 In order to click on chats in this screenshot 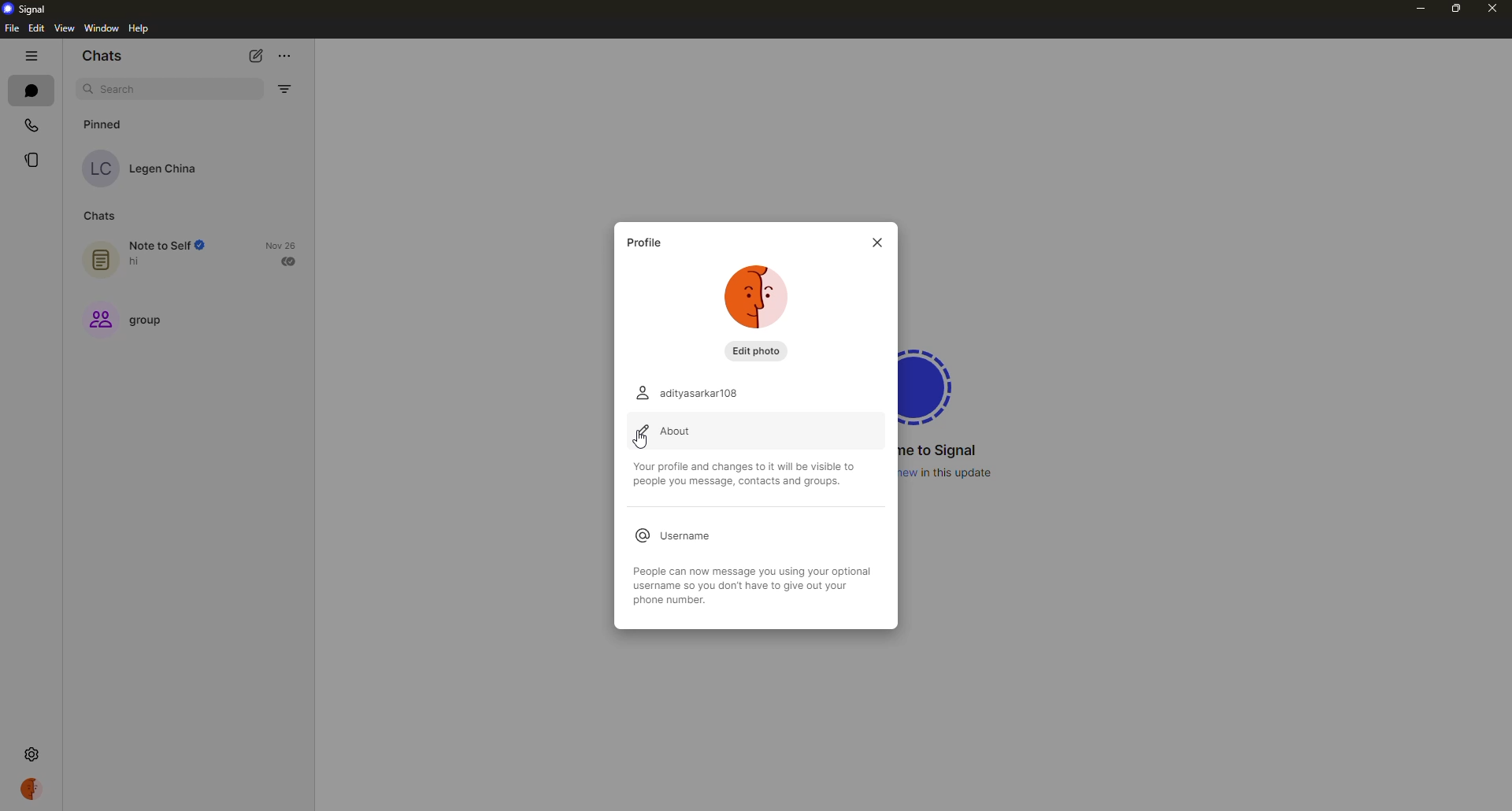, I will do `click(31, 90)`.